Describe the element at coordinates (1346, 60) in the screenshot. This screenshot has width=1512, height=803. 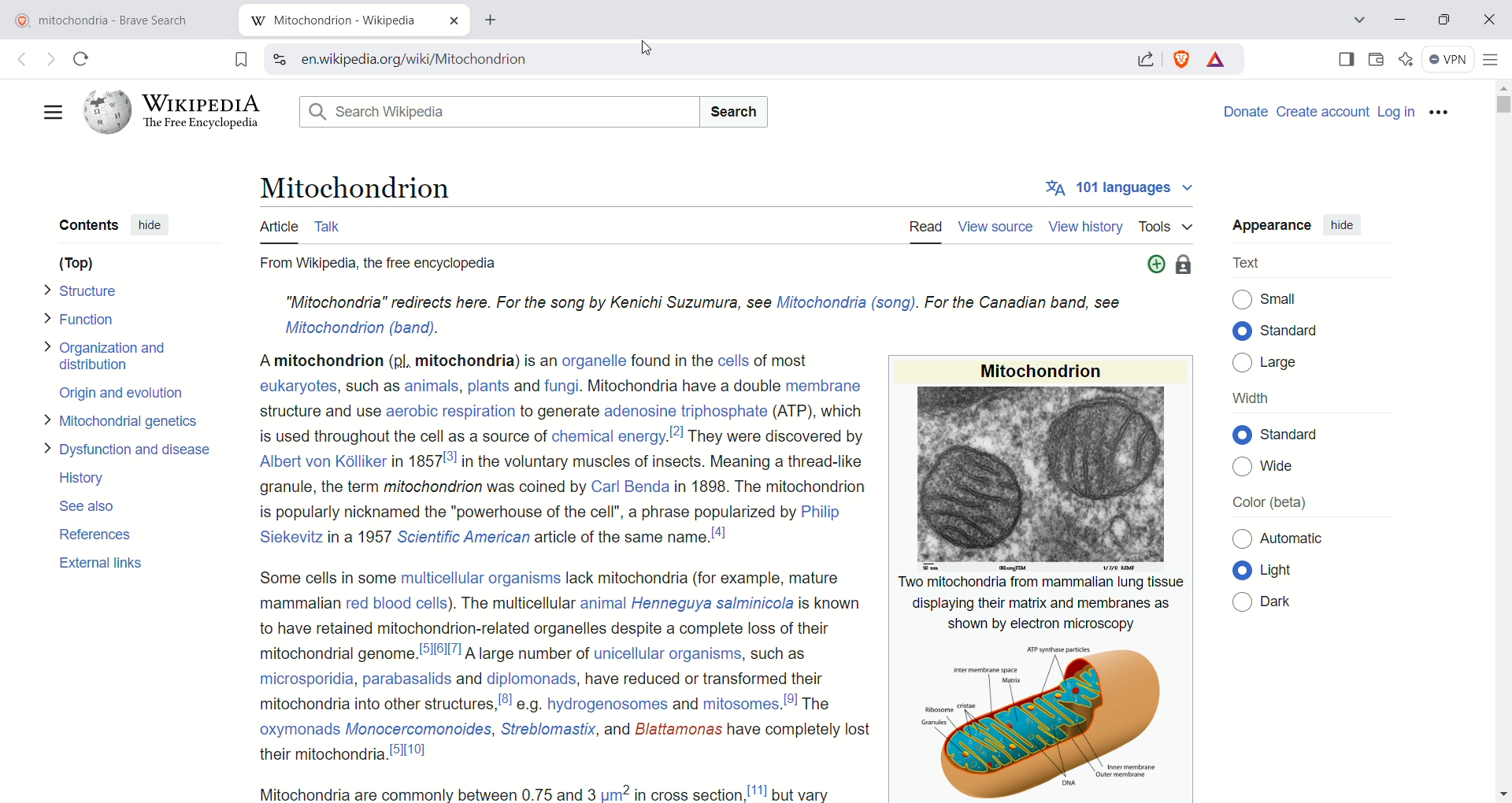
I see `show sidebar` at that location.